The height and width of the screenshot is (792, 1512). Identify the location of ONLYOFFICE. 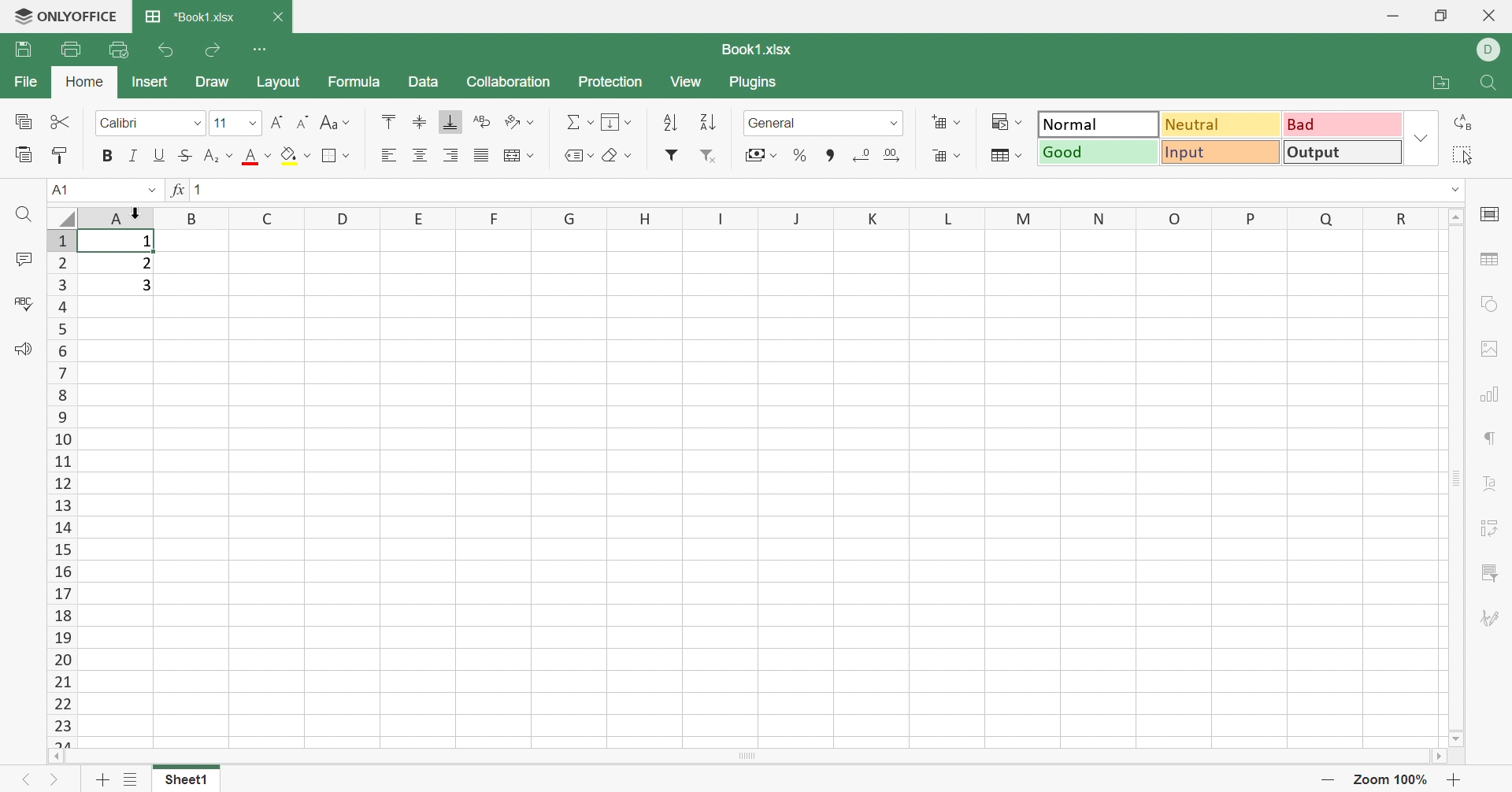
(83, 14).